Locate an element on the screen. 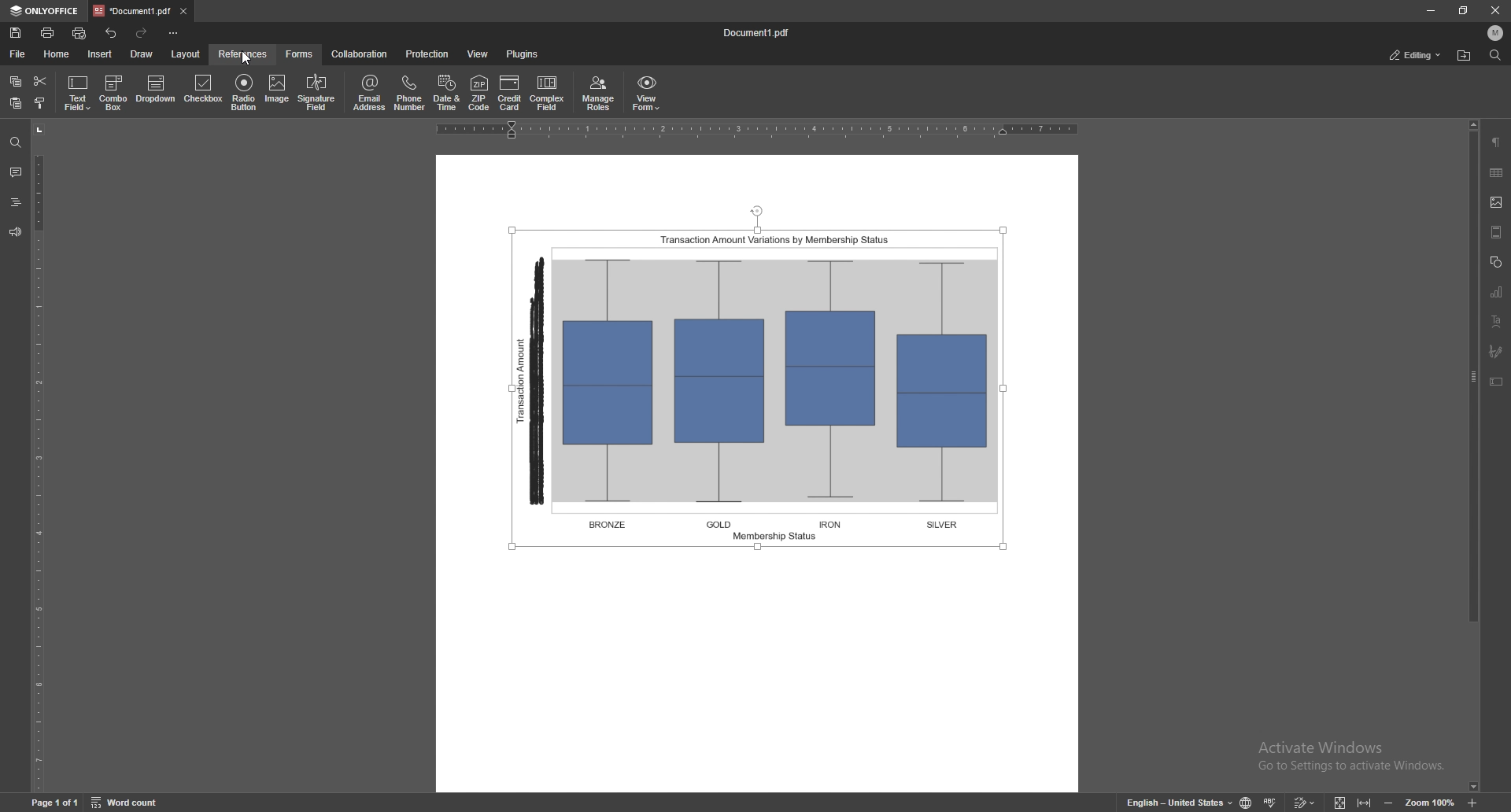  customize toolbar is located at coordinates (172, 33).